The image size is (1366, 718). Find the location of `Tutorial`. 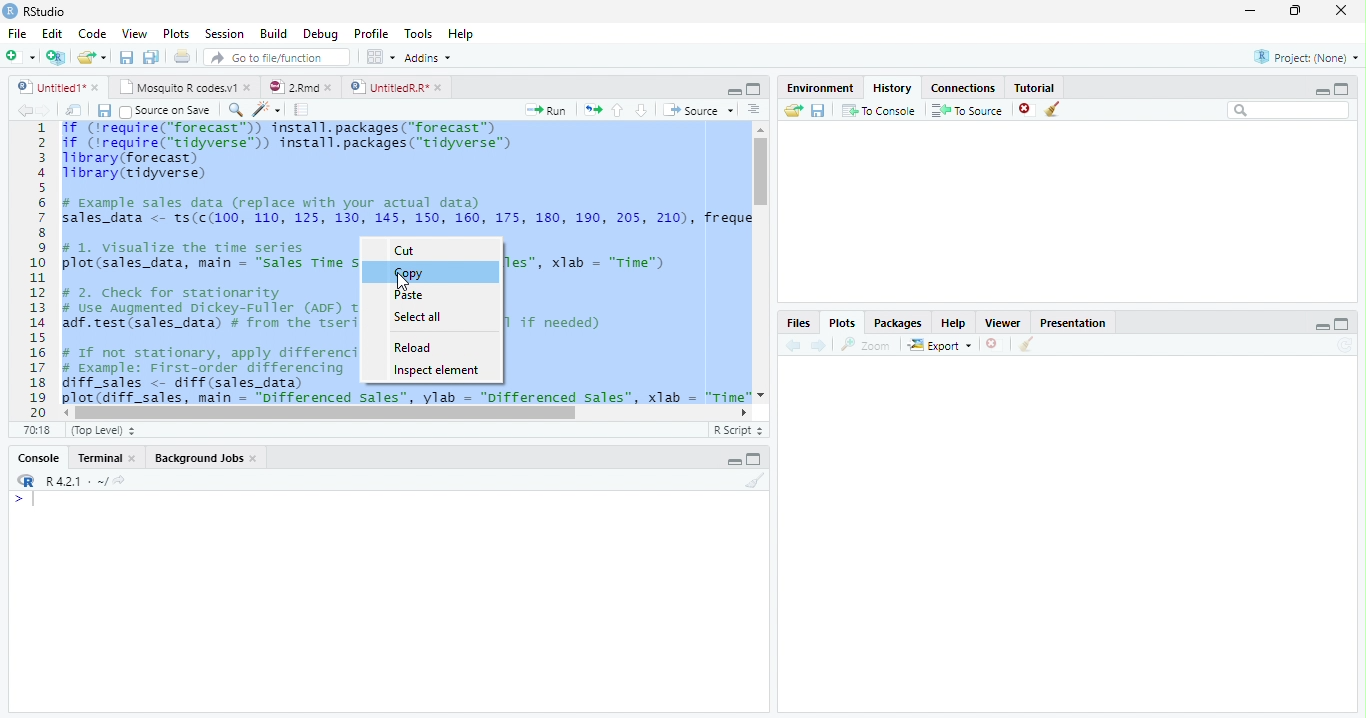

Tutorial is located at coordinates (1034, 88).